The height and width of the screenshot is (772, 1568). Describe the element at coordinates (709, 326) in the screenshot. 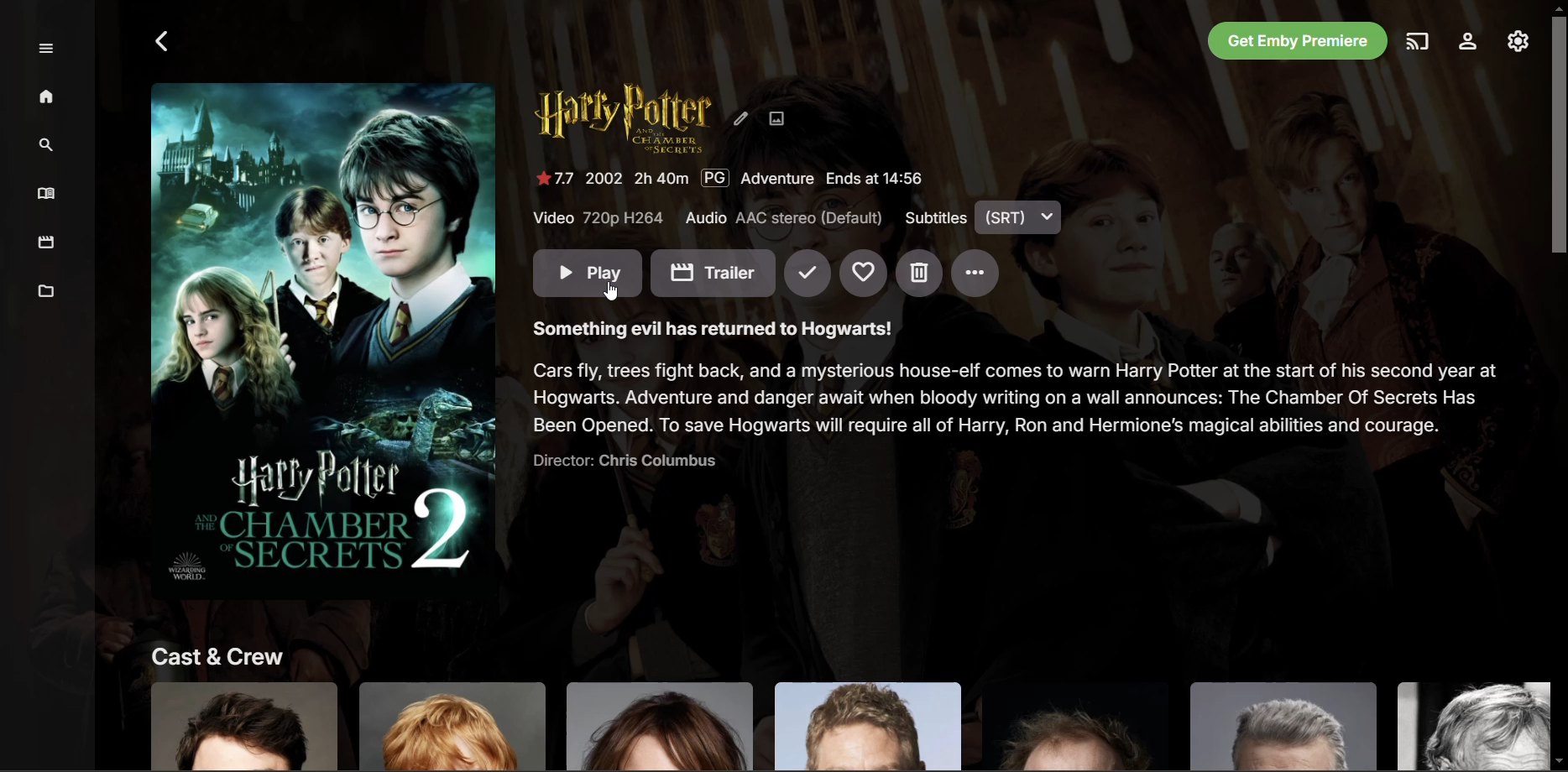

I see `Movie Synopsis` at that location.